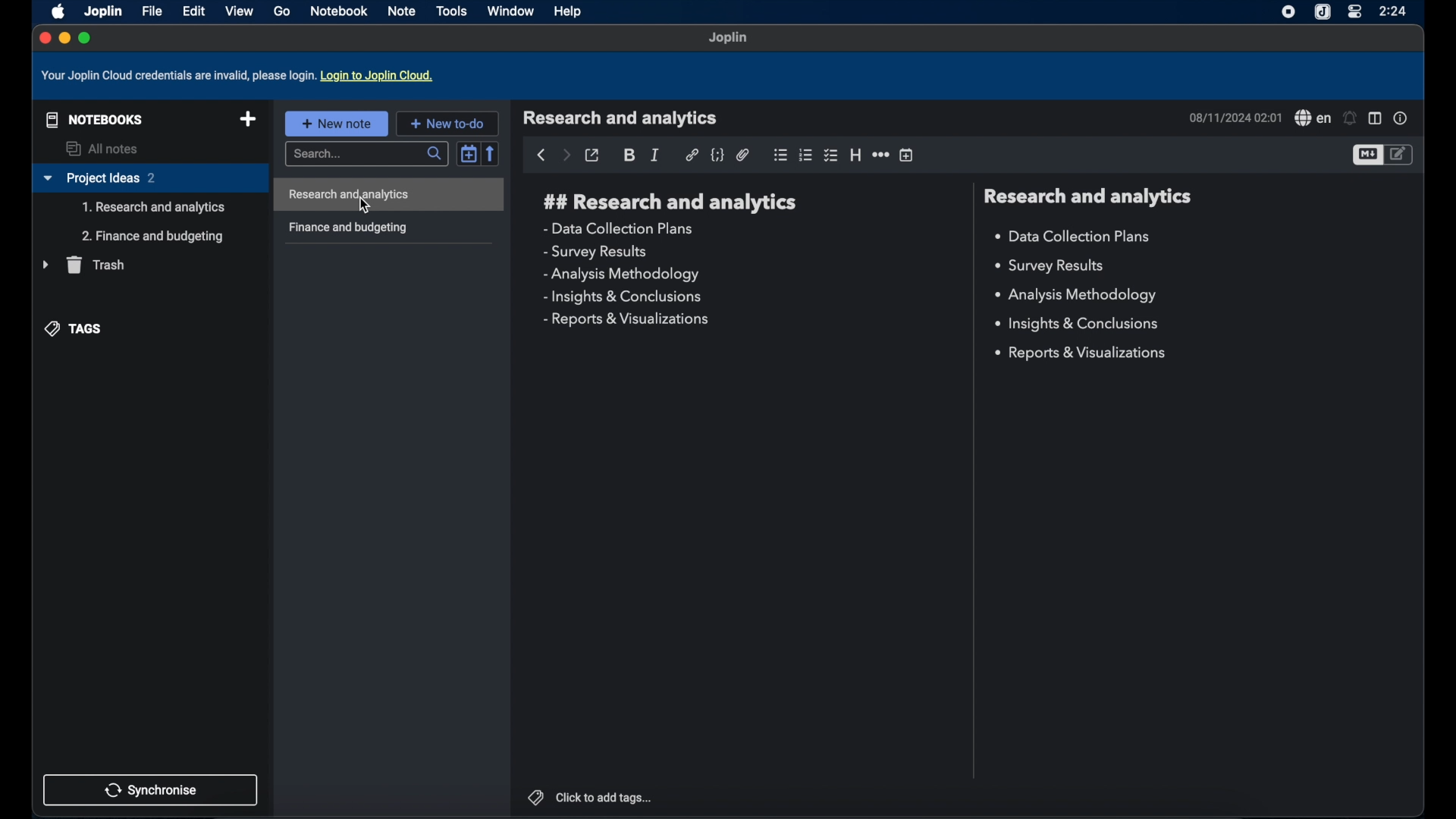 The image size is (1456, 819). What do you see at coordinates (152, 11) in the screenshot?
I see `file` at bounding box center [152, 11].